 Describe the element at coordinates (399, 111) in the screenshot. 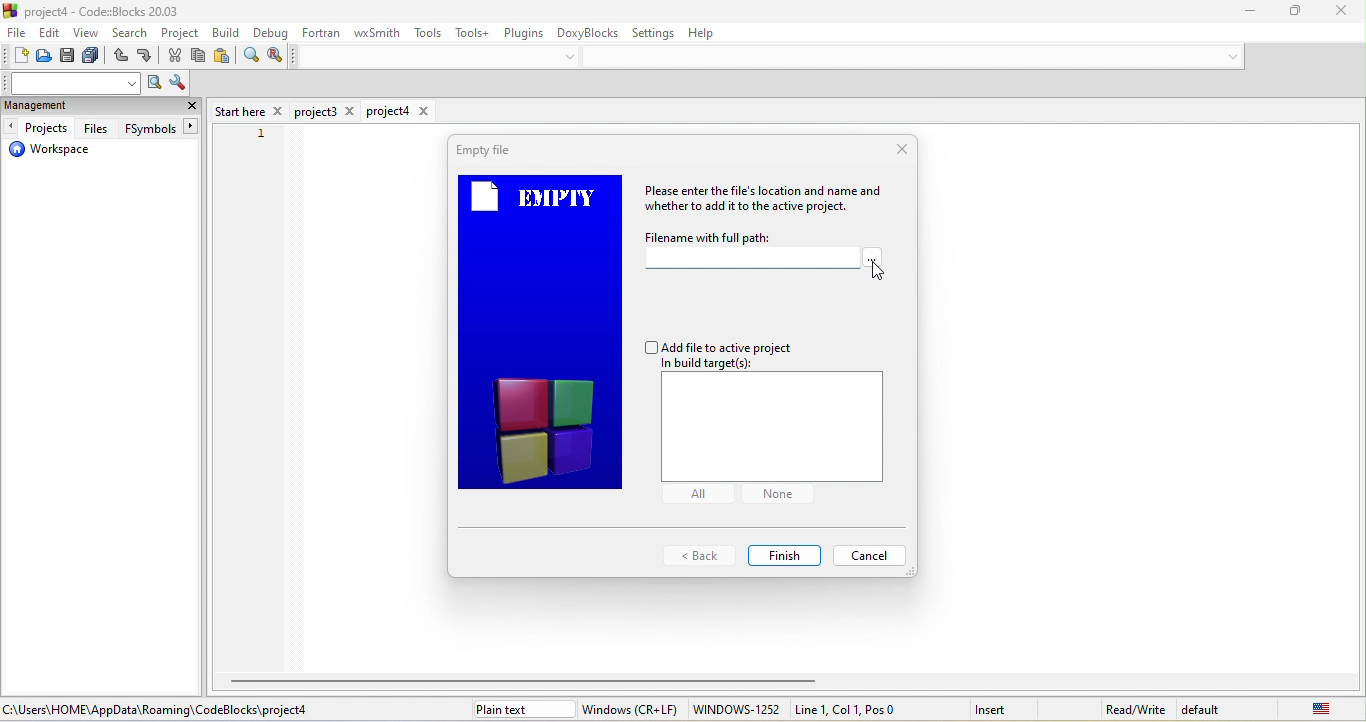

I see `project4` at that location.